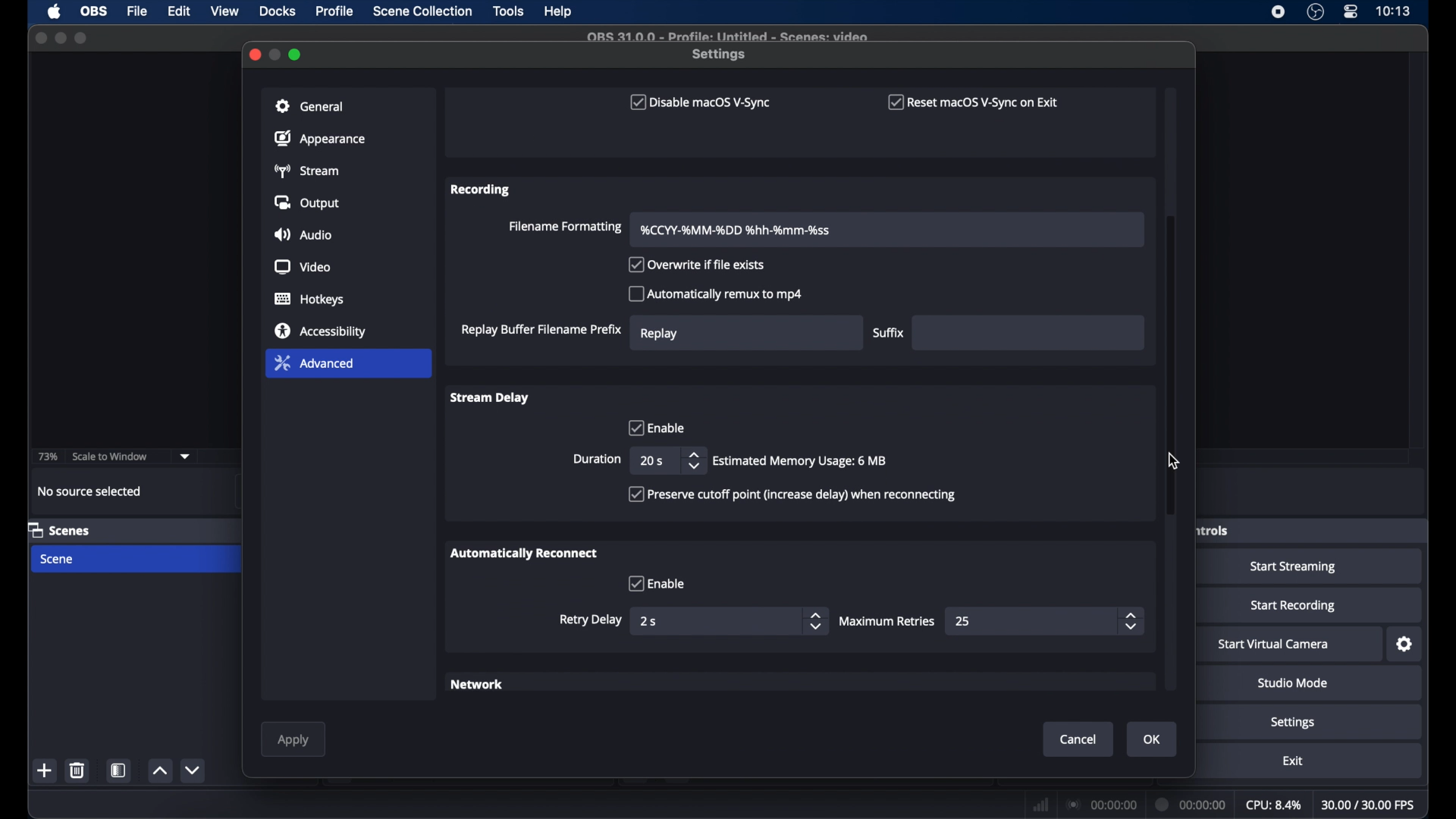 This screenshot has height=819, width=1456. I want to click on help, so click(559, 12).